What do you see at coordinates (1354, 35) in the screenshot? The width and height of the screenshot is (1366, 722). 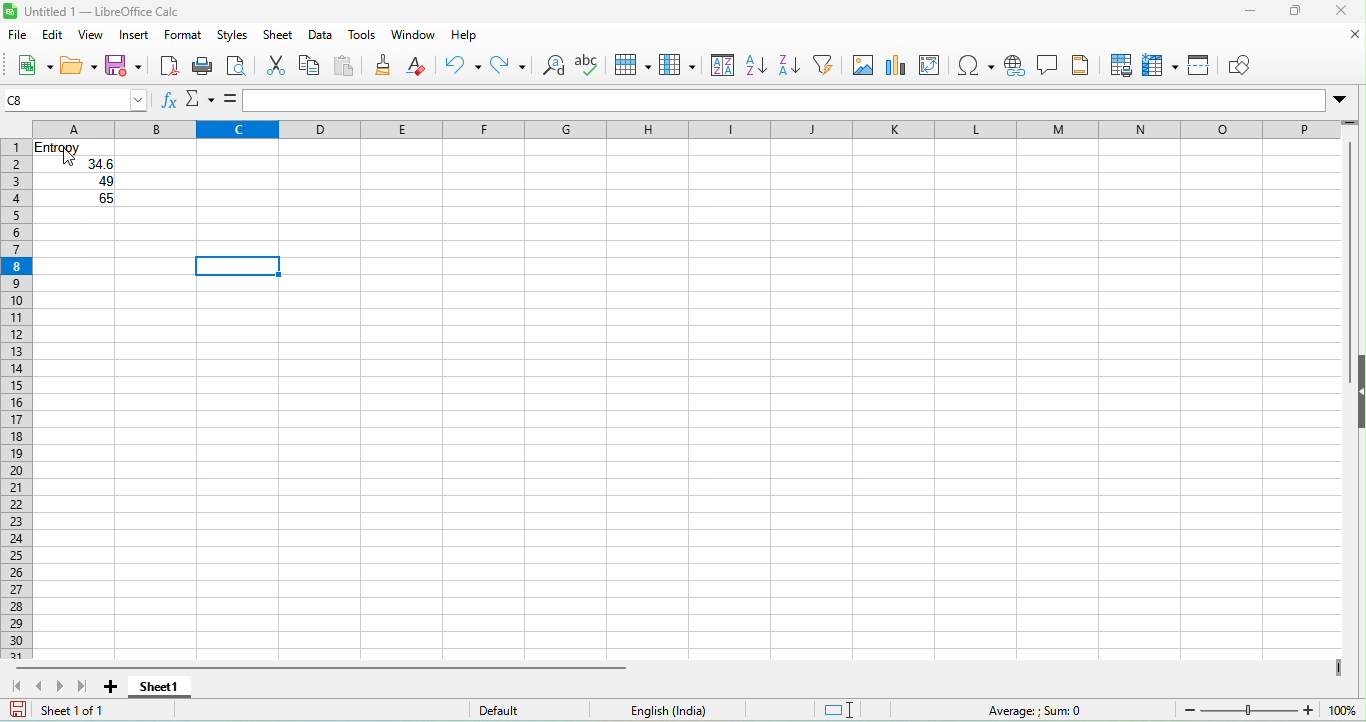 I see `close` at bounding box center [1354, 35].